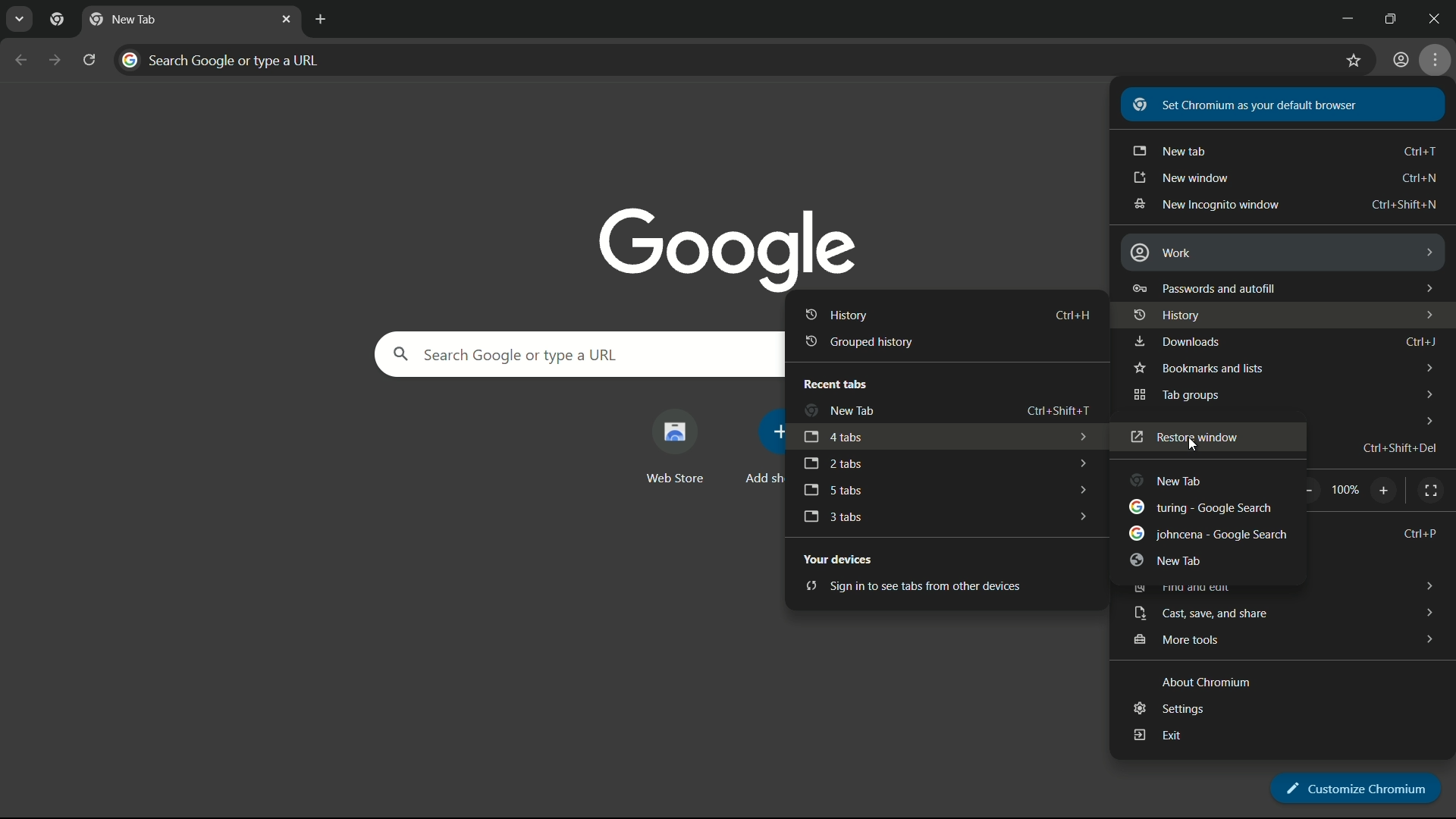 The width and height of the screenshot is (1456, 819). I want to click on dropdown arrows, so click(1428, 419).